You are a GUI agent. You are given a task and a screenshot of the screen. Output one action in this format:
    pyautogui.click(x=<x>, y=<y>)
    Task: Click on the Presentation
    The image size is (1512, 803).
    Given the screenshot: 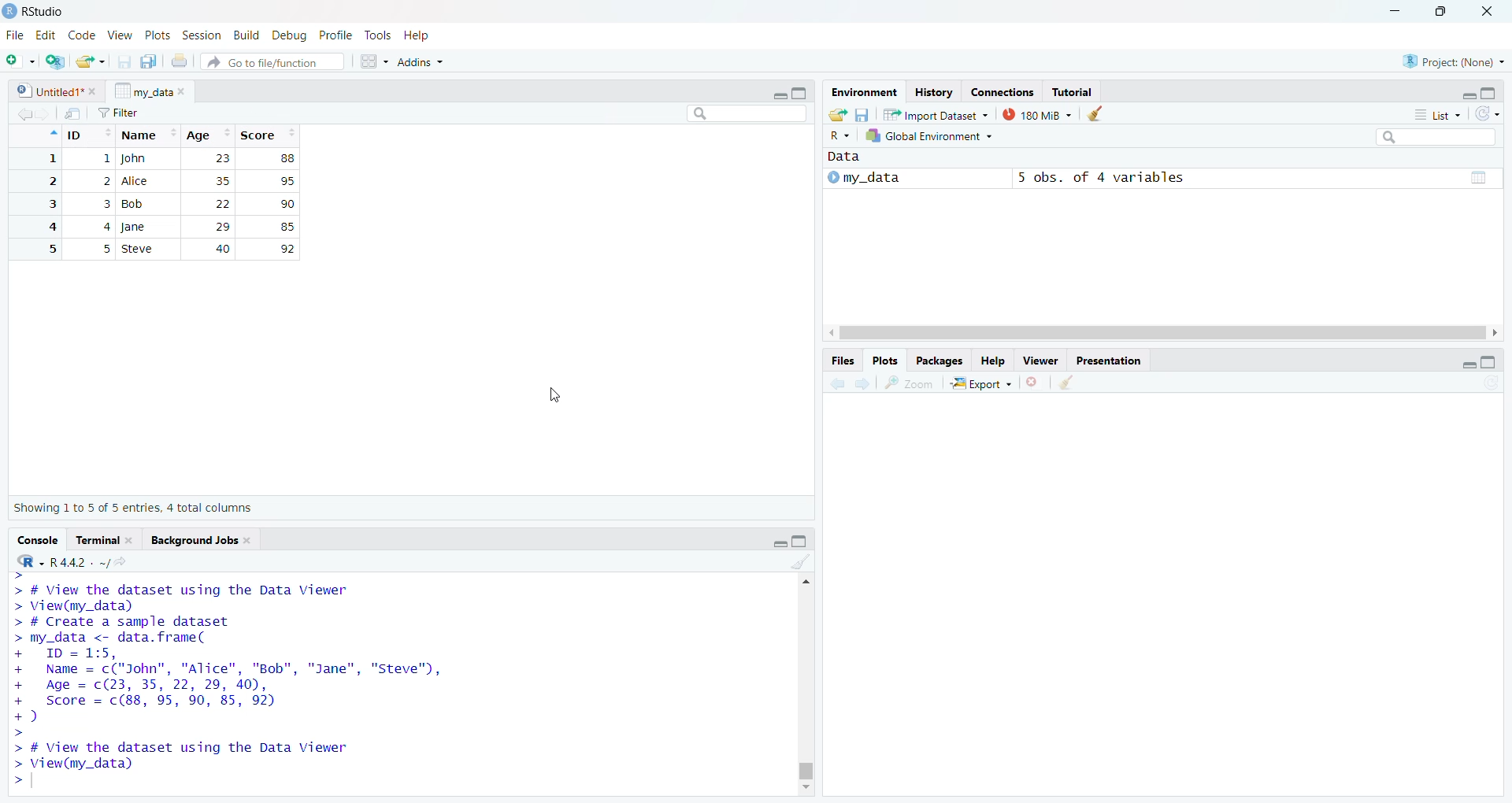 What is the action you would take?
    pyautogui.click(x=1107, y=359)
    